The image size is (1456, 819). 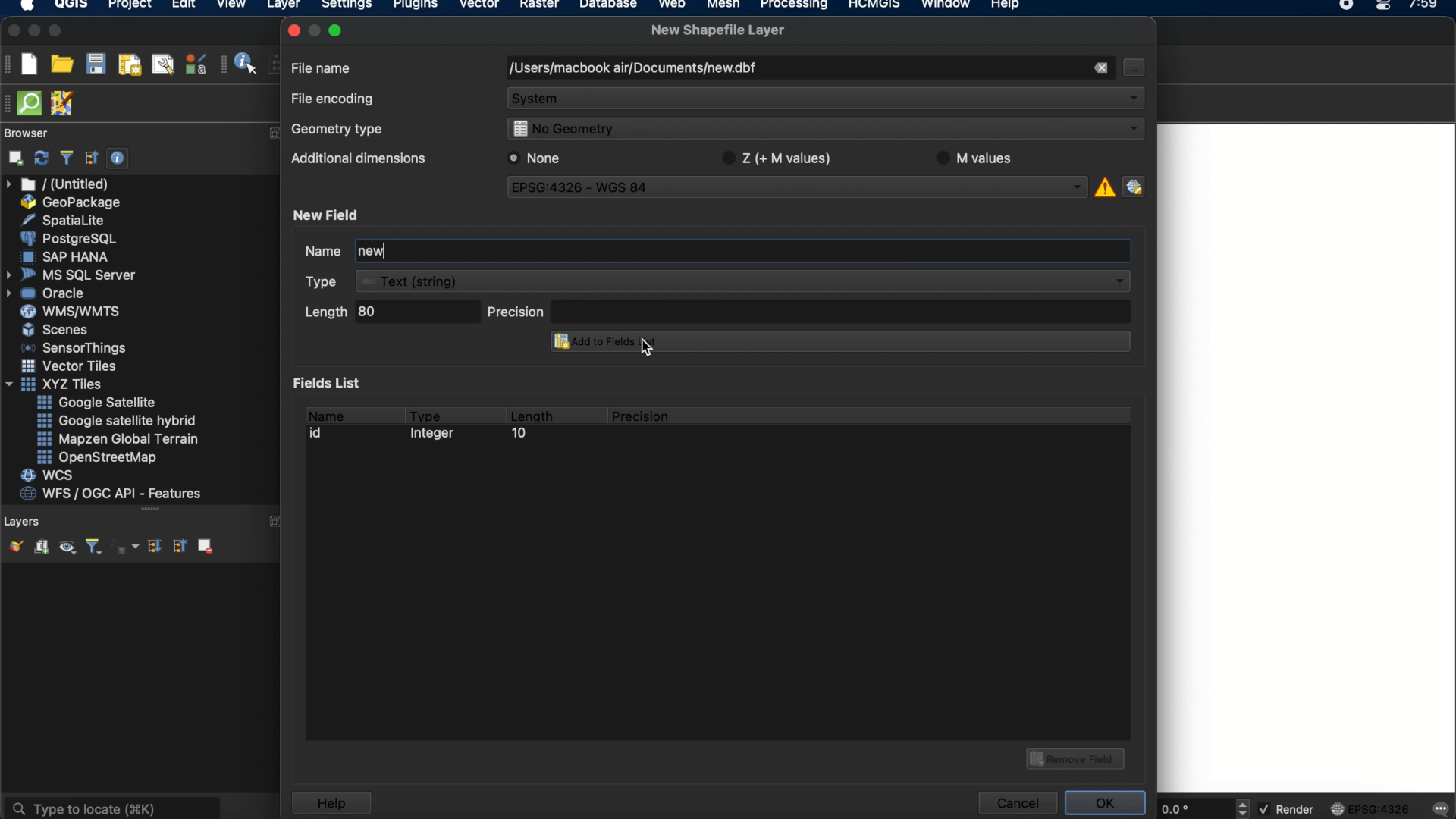 What do you see at coordinates (799, 190) in the screenshot?
I see `EPSG:4326 - WGS 84` at bounding box center [799, 190].